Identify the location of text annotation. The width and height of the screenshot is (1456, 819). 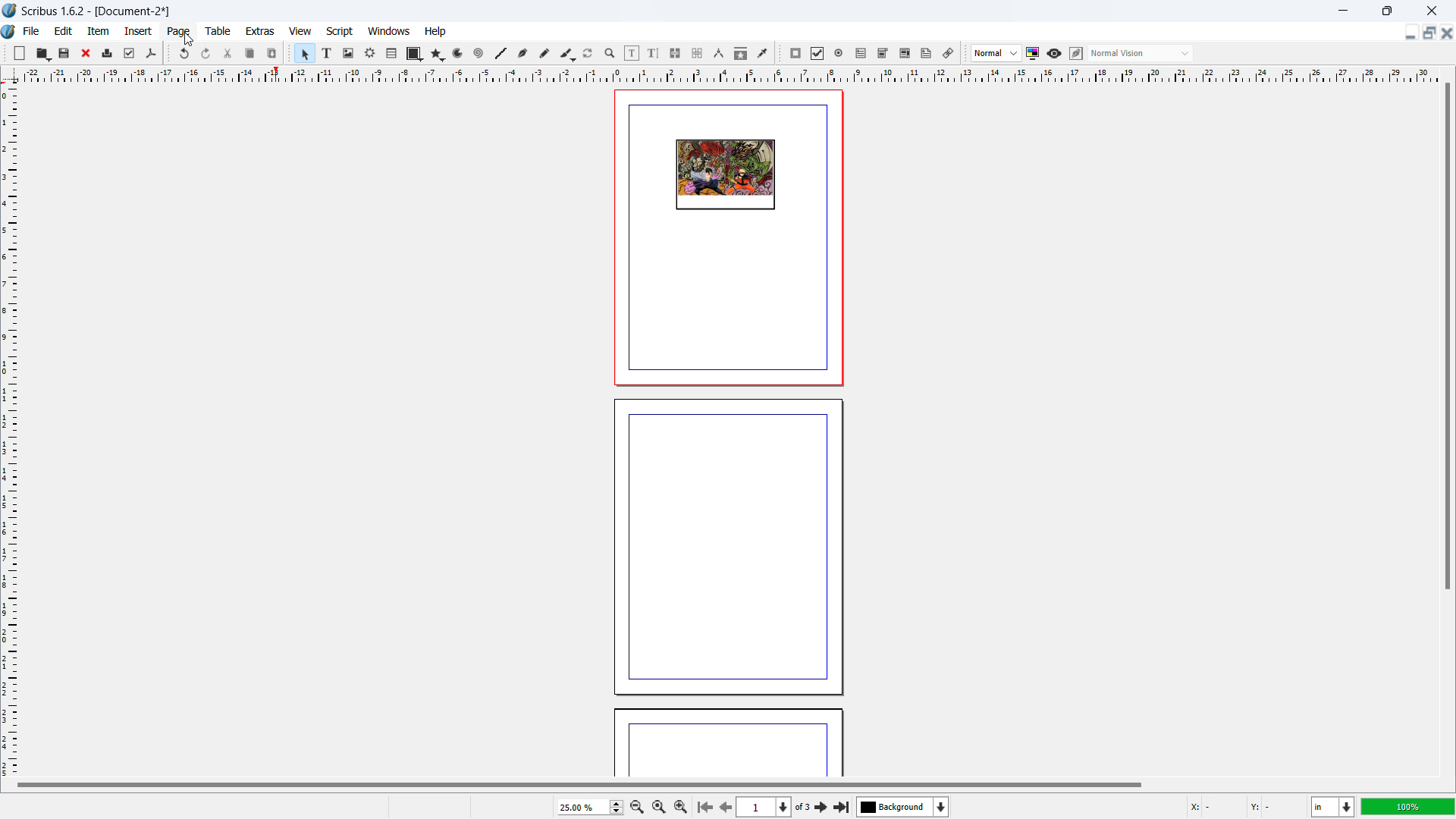
(927, 54).